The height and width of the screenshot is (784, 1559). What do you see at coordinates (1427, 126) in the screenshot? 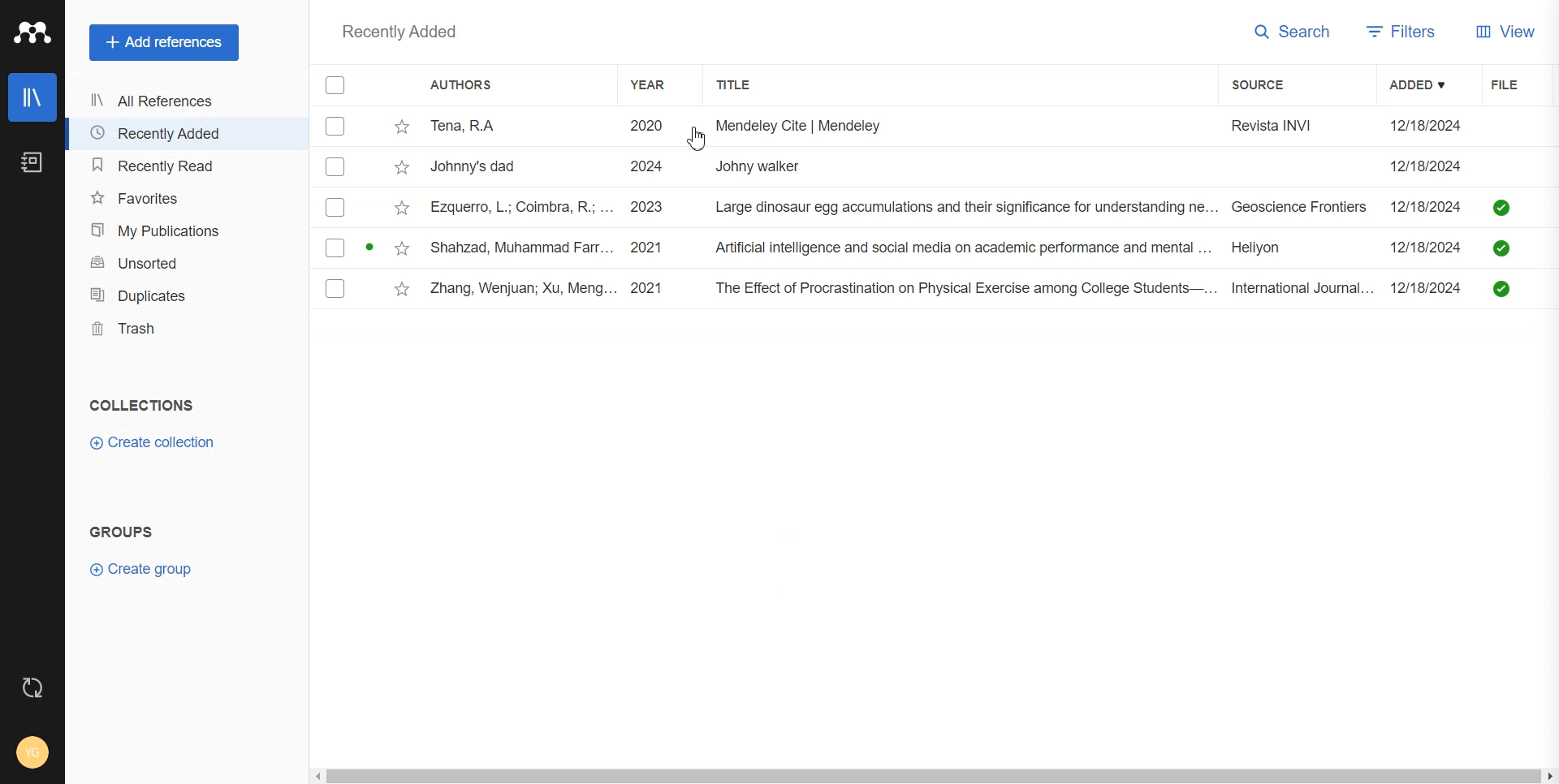
I see `12/18/2024` at bounding box center [1427, 126].